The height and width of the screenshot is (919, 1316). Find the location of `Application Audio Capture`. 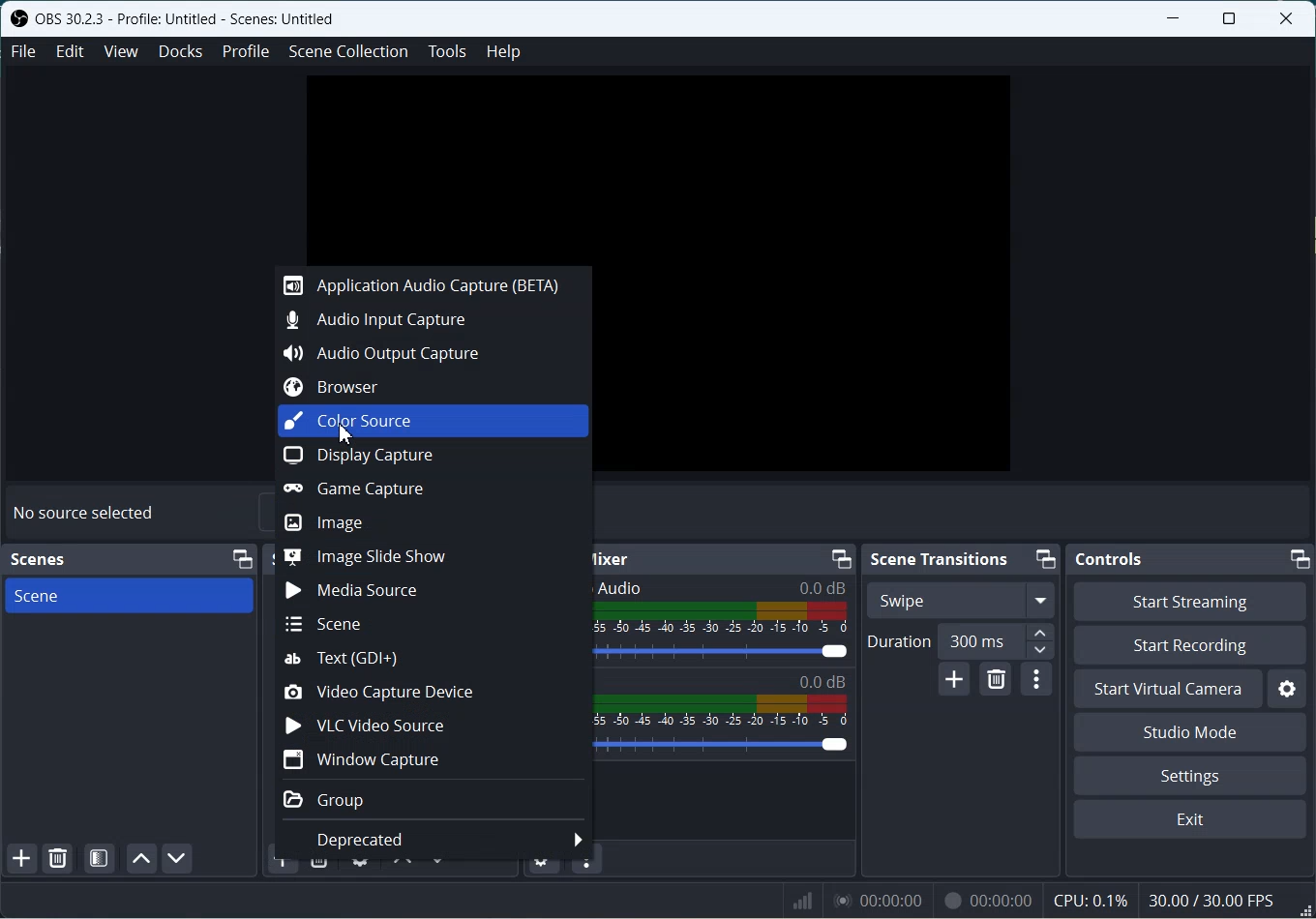

Application Audio Capture is located at coordinates (424, 284).